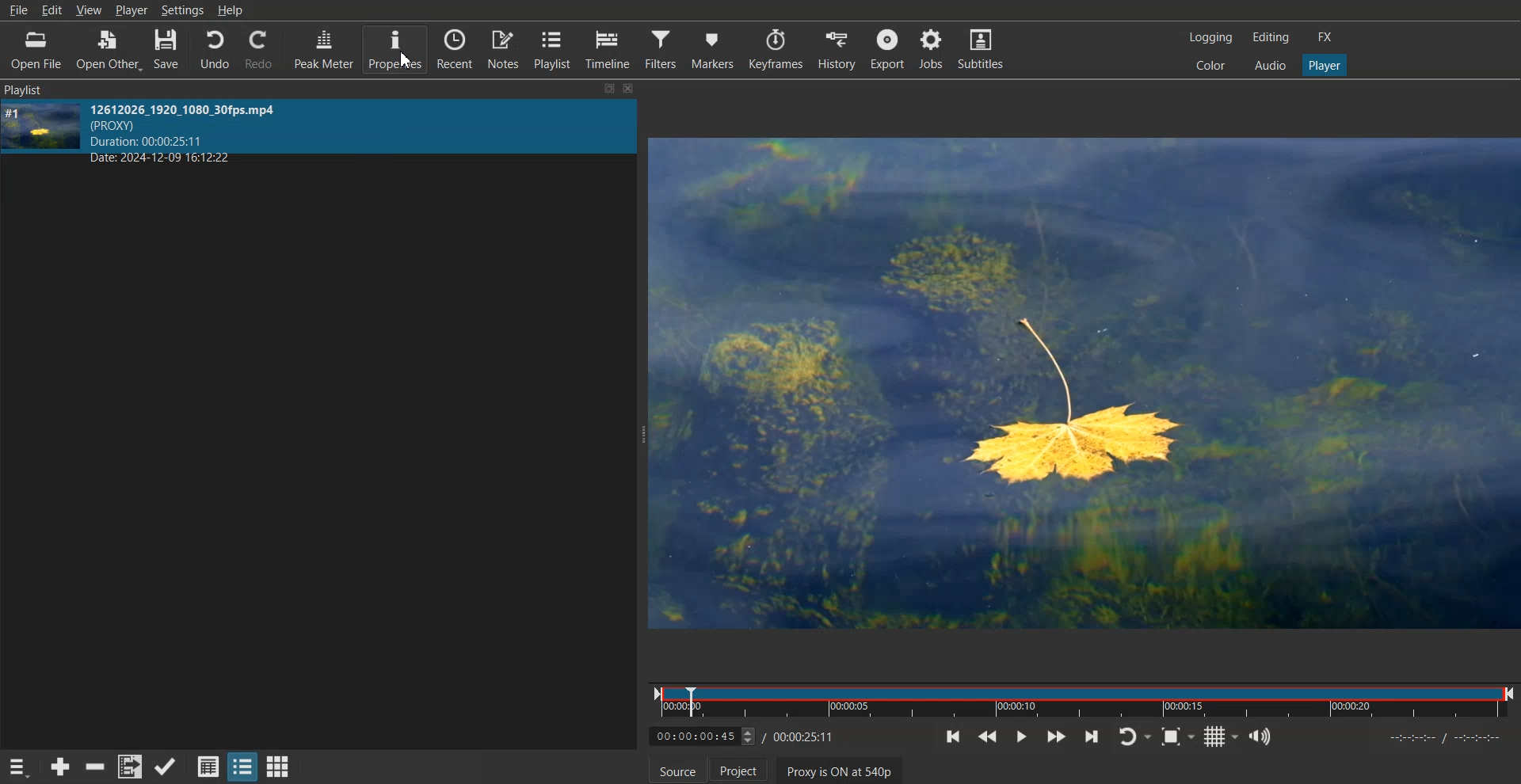 Image resolution: width=1521 pixels, height=784 pixels. What do you see at coordinates (1449, 739) in the screenshot?
I see `timeline` at bounding box center [1449, 739].